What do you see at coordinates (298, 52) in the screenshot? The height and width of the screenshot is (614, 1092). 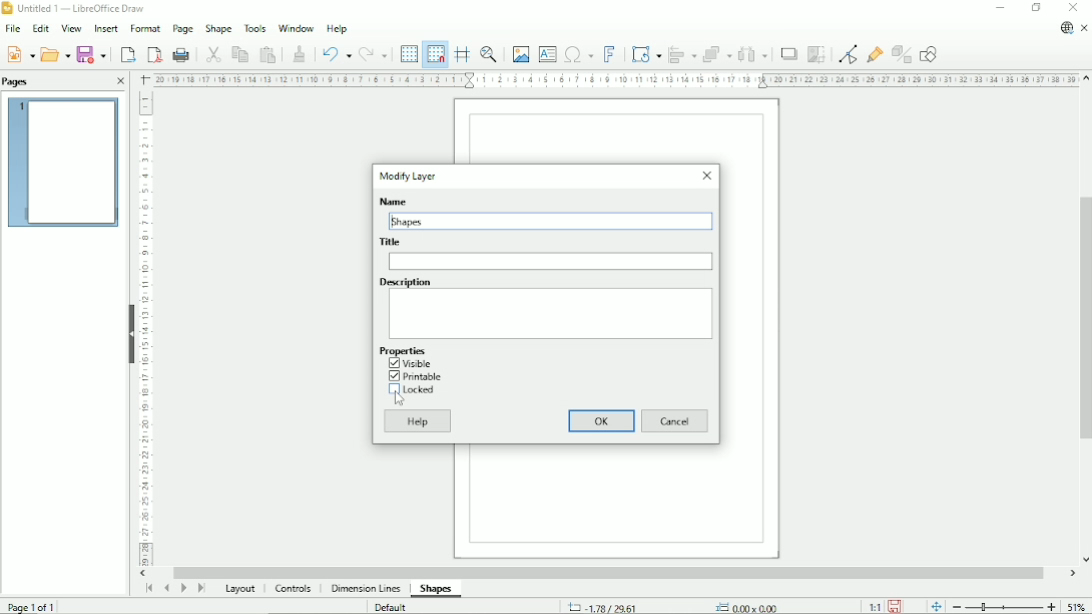 I see `Clone formatting` at bounding box center [298, 52].